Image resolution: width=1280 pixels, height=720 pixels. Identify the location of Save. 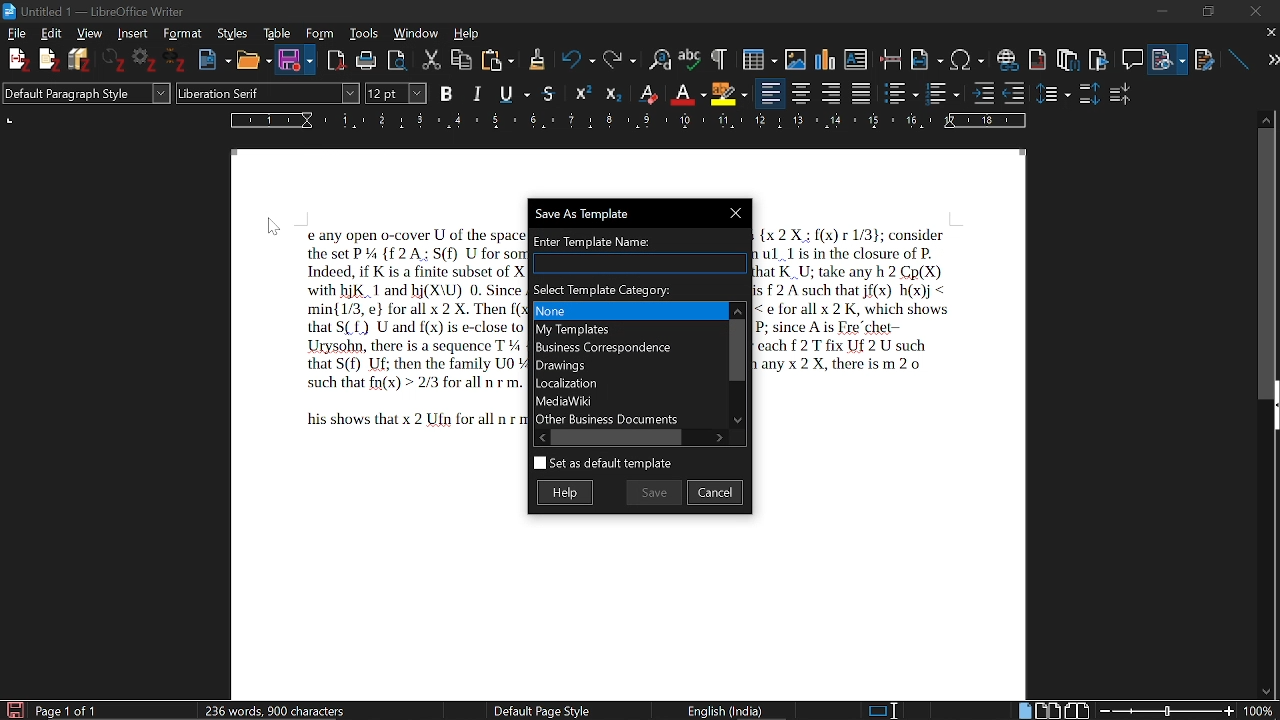
(654, 491).